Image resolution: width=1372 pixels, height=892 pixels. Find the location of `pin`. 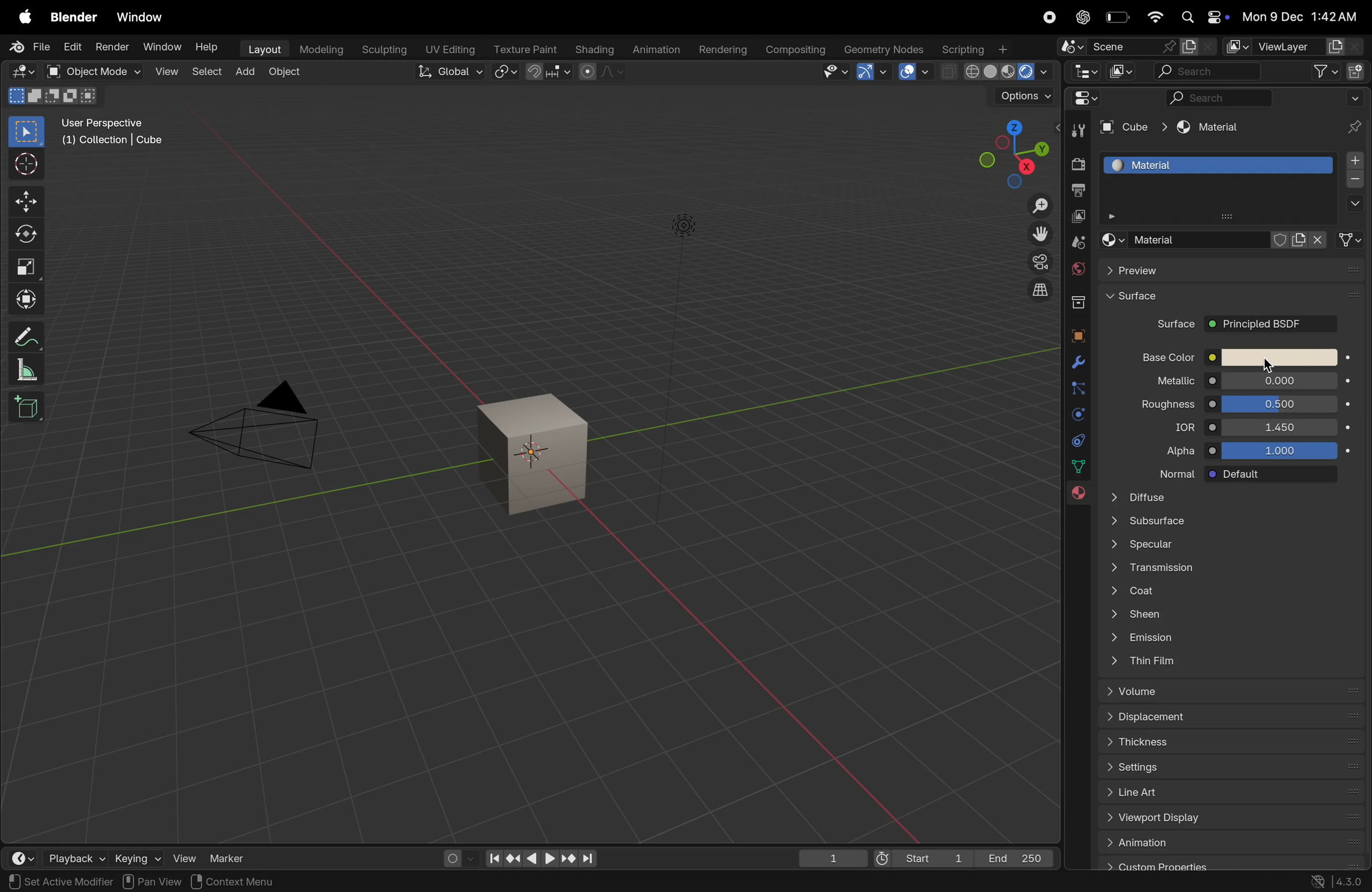

pin is located at coordinates (1356, 126).